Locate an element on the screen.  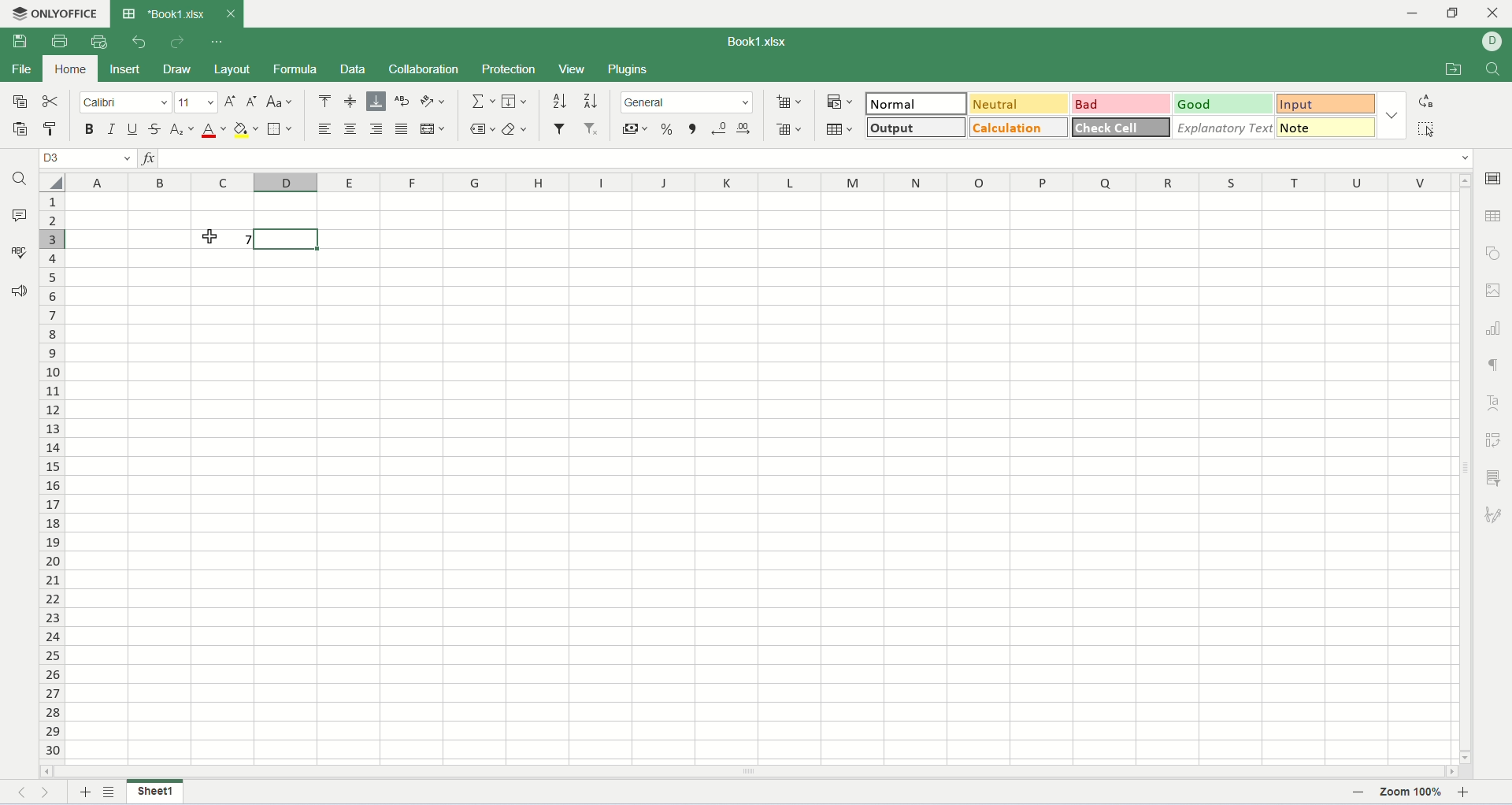
neutral is located at coordinates (1021, 104).